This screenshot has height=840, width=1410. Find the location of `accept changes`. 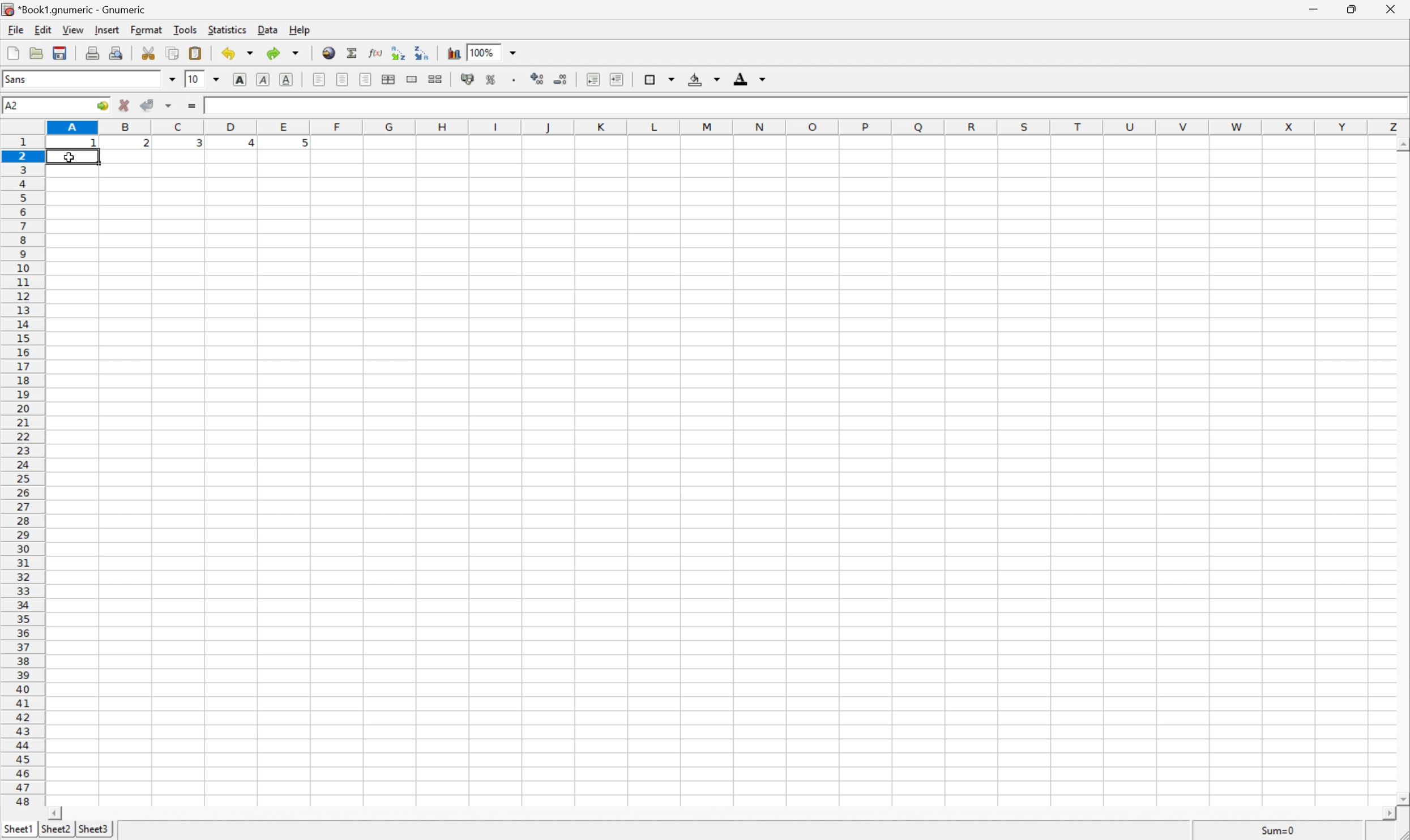

accept changes is located at coordinates (148, 105).